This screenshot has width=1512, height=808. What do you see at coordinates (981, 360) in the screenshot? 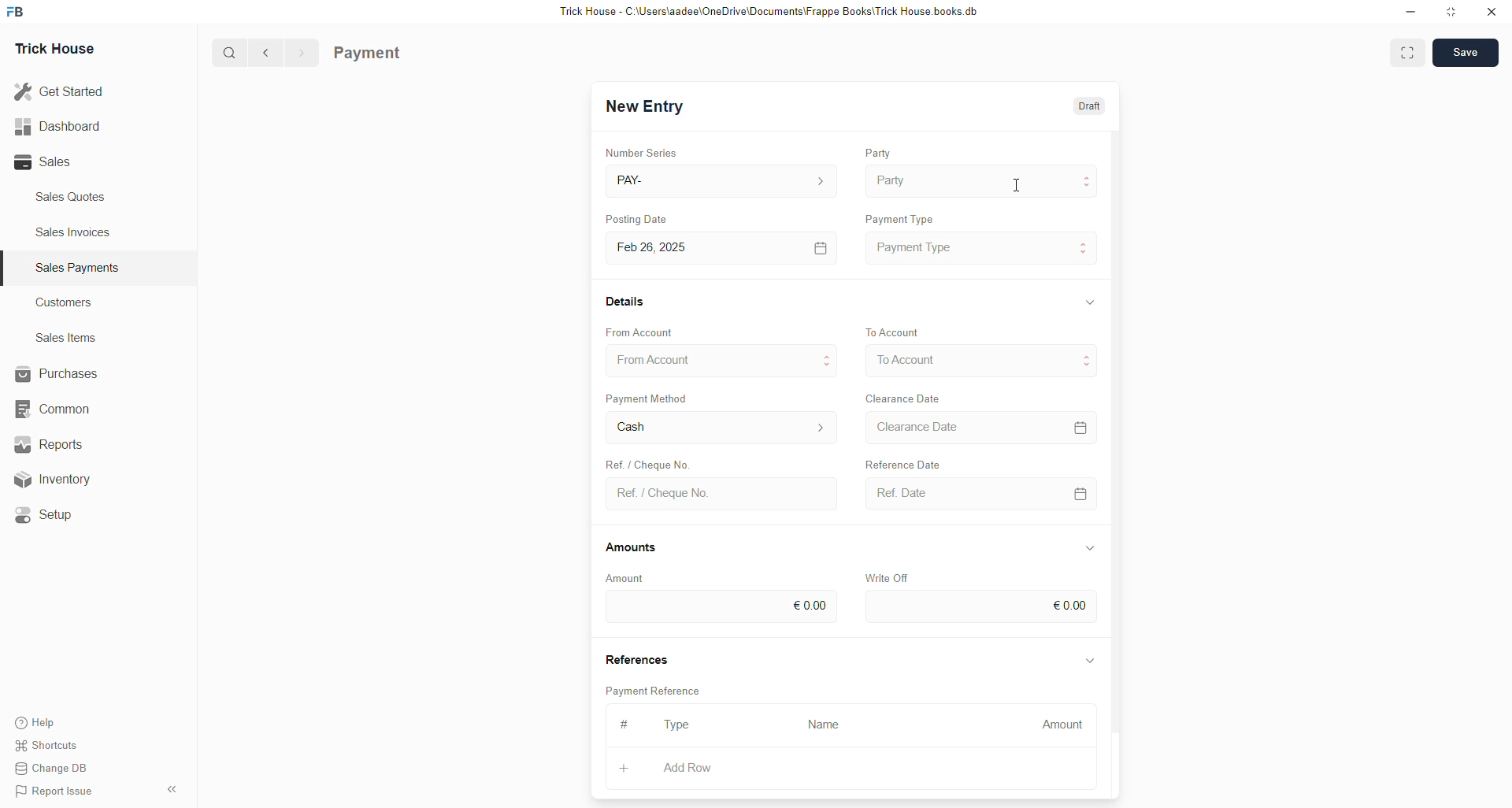
I see `To Account` at bounding box center [981, 360].